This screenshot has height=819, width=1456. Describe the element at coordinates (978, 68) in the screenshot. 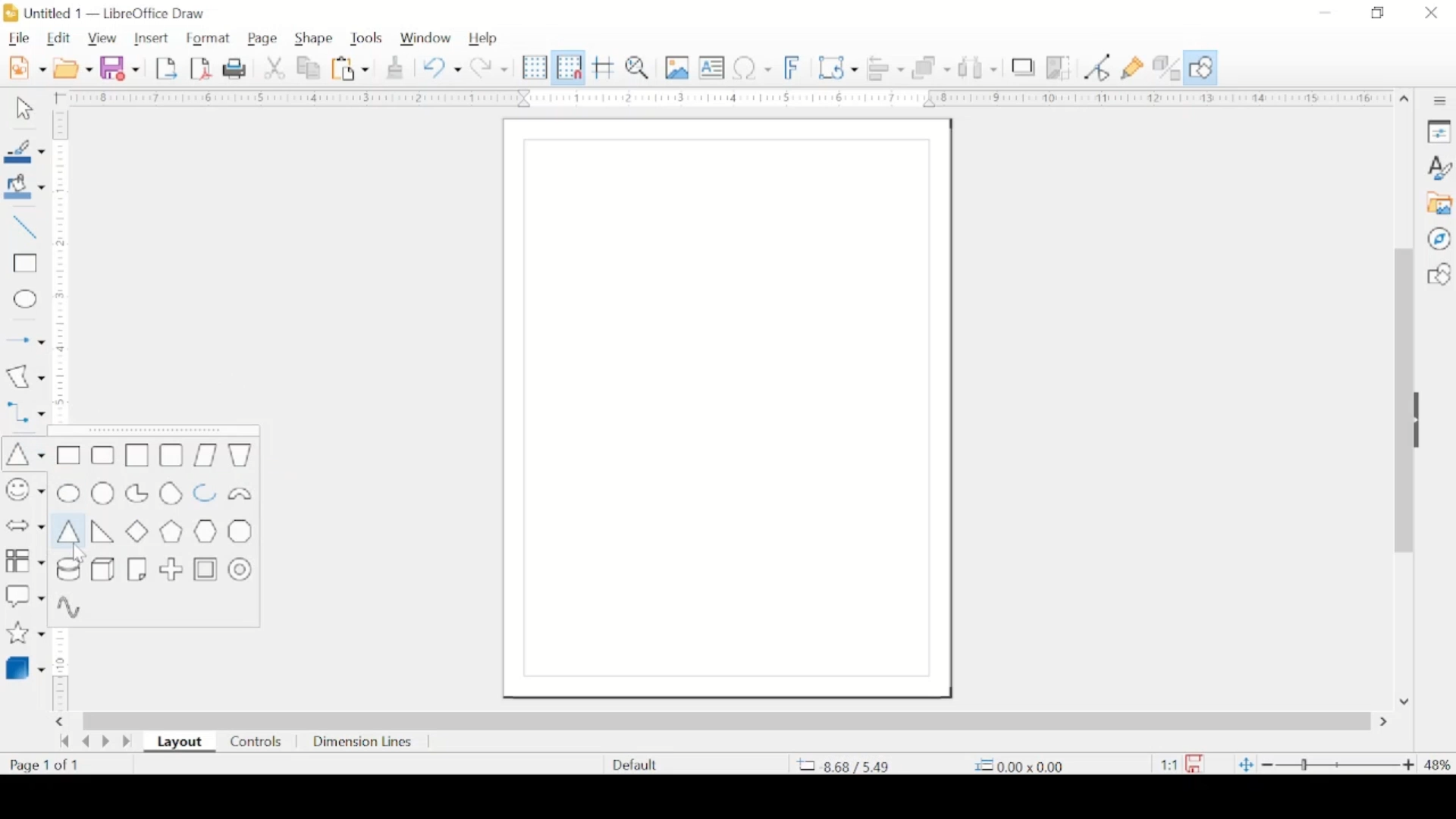

I see `show at least three objects to distribute` at that location.